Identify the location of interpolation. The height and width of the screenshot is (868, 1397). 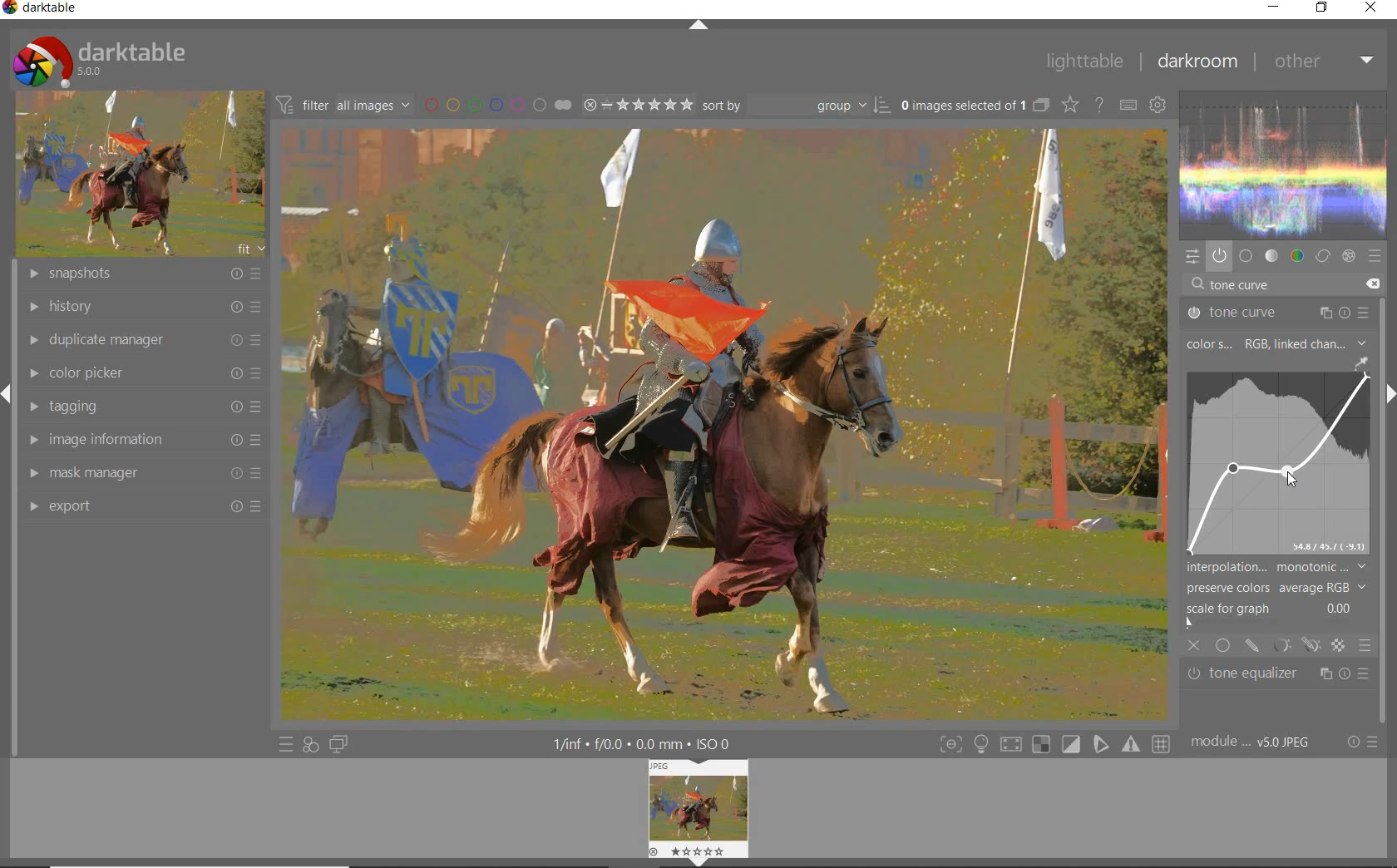
(1276, 567).